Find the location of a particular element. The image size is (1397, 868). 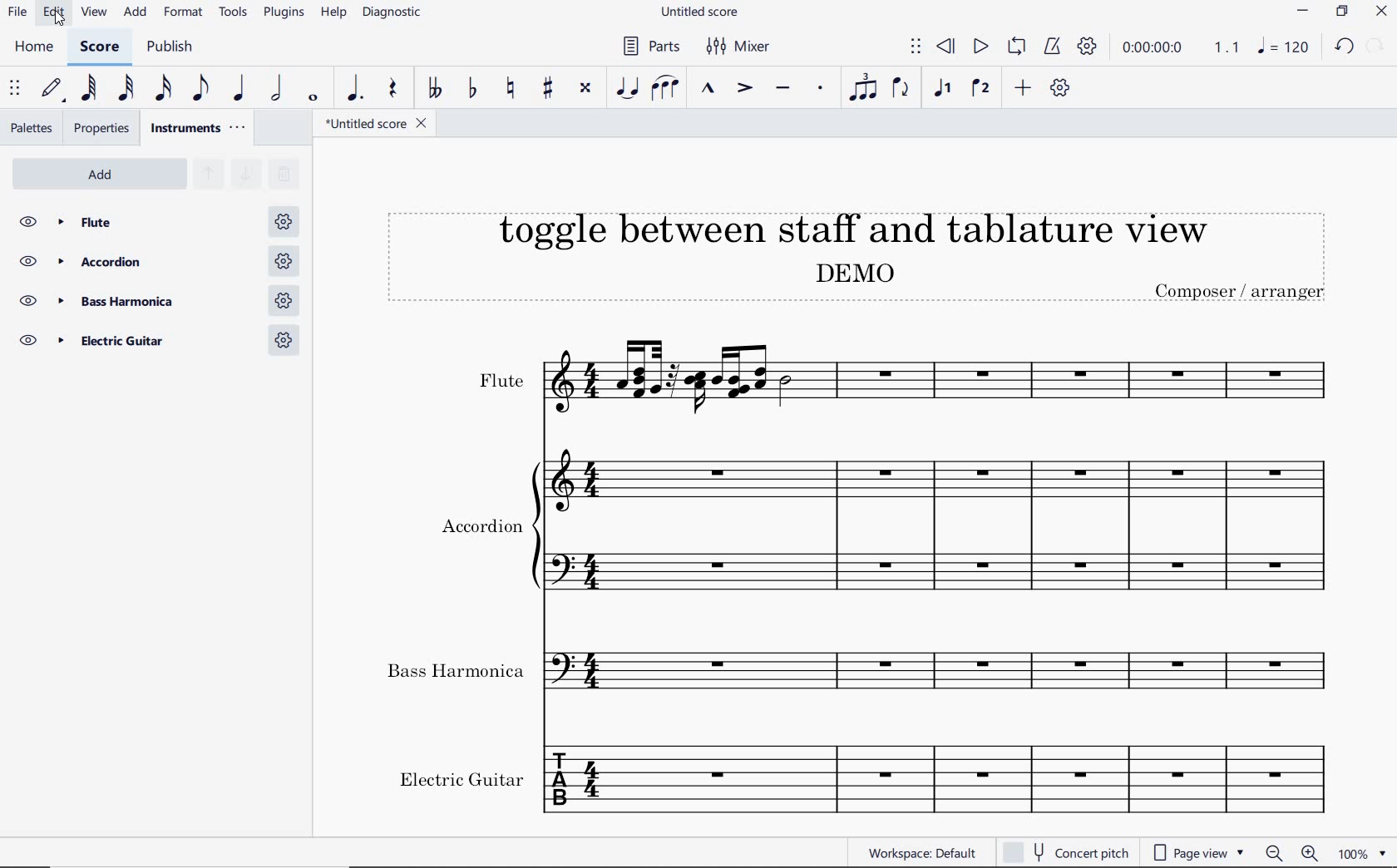

select to move is located at coordinates (916, 47).